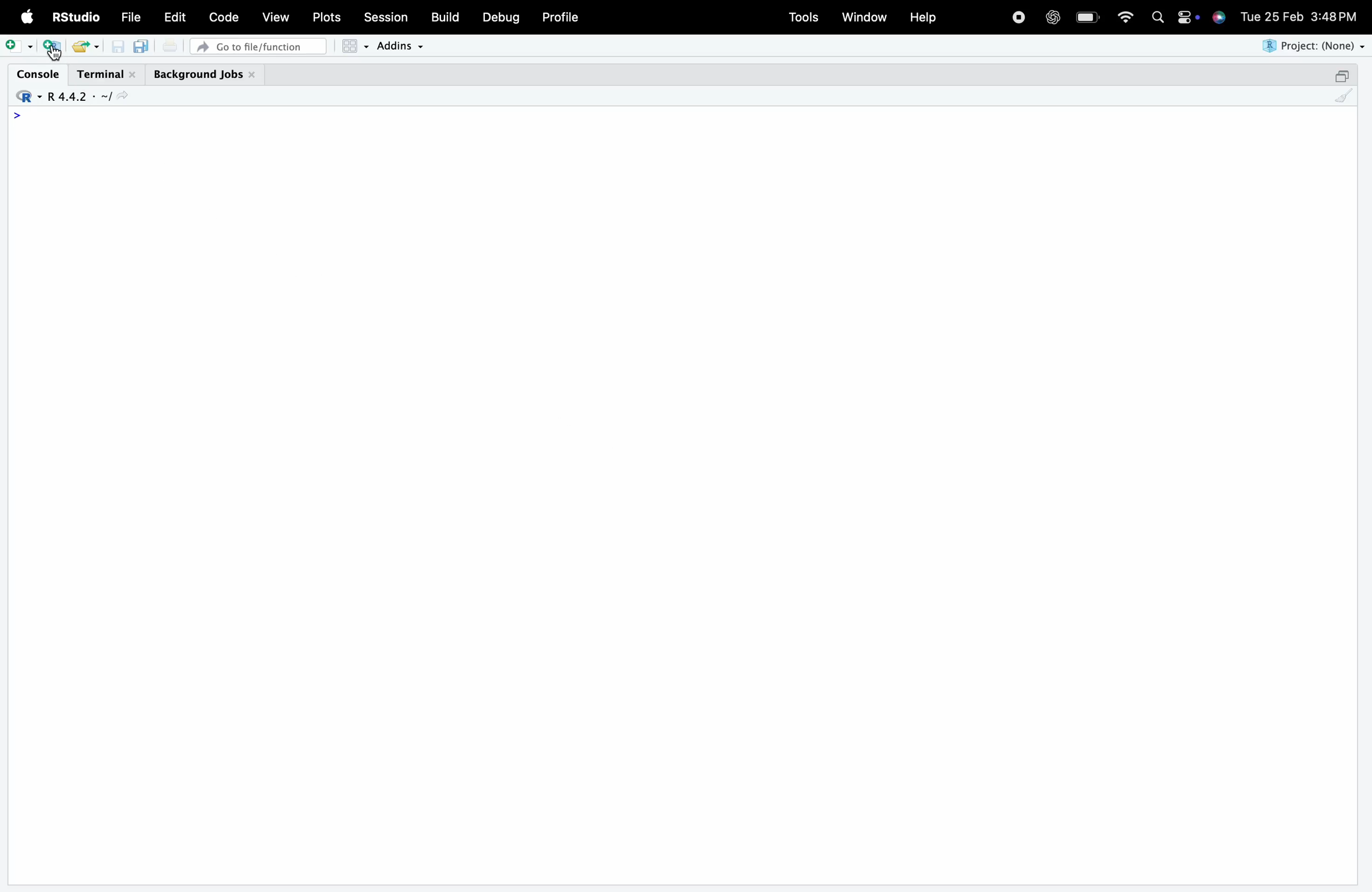  Describe the element at coordinates (1341, 75) in the screenshot. I see `maximize` at that location.